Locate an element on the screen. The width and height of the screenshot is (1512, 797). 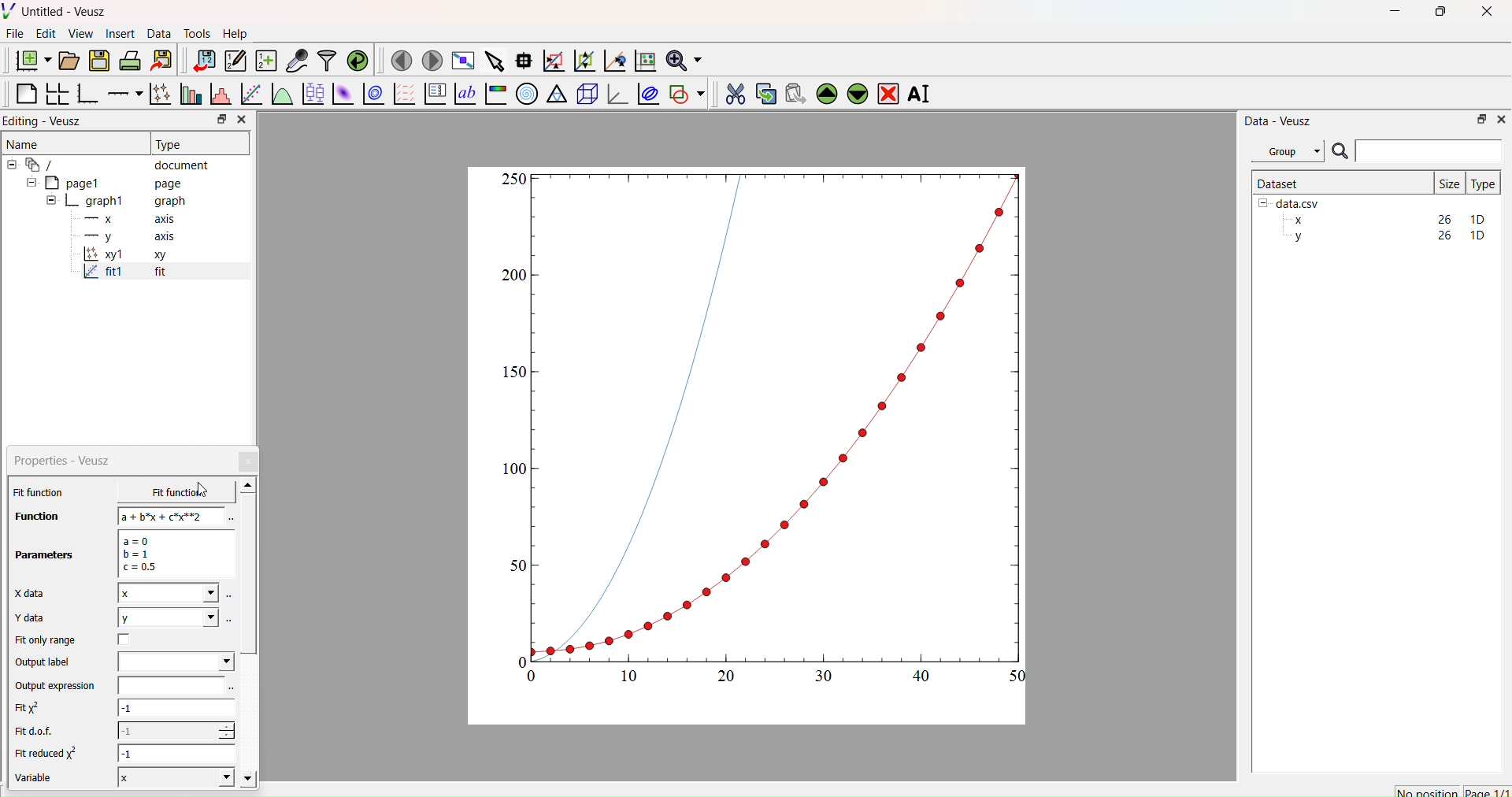
Restore Down is located at coordinates (1437, 13).